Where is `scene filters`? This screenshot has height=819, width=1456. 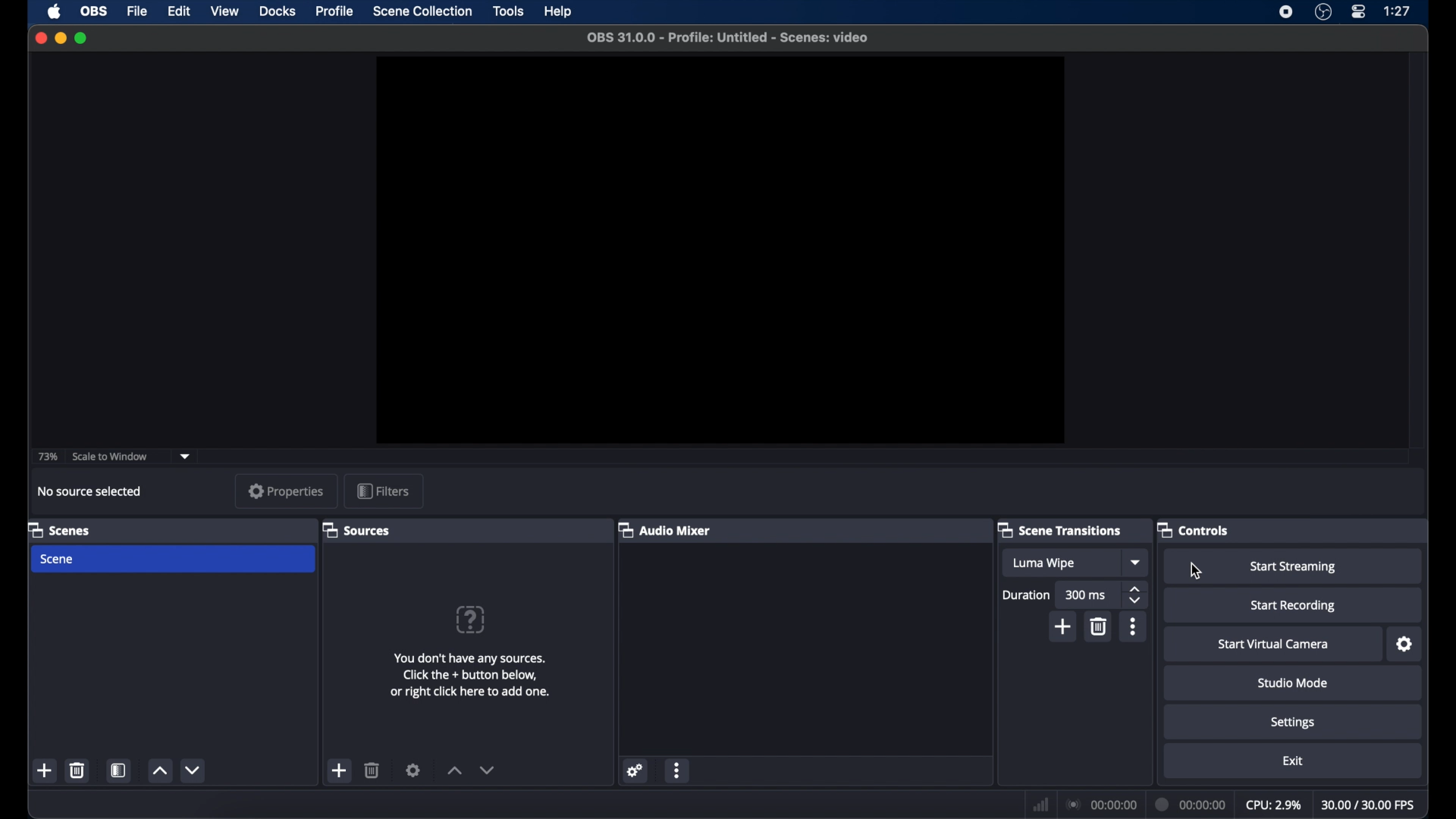 scene filters is located at coordinates (120, 770).